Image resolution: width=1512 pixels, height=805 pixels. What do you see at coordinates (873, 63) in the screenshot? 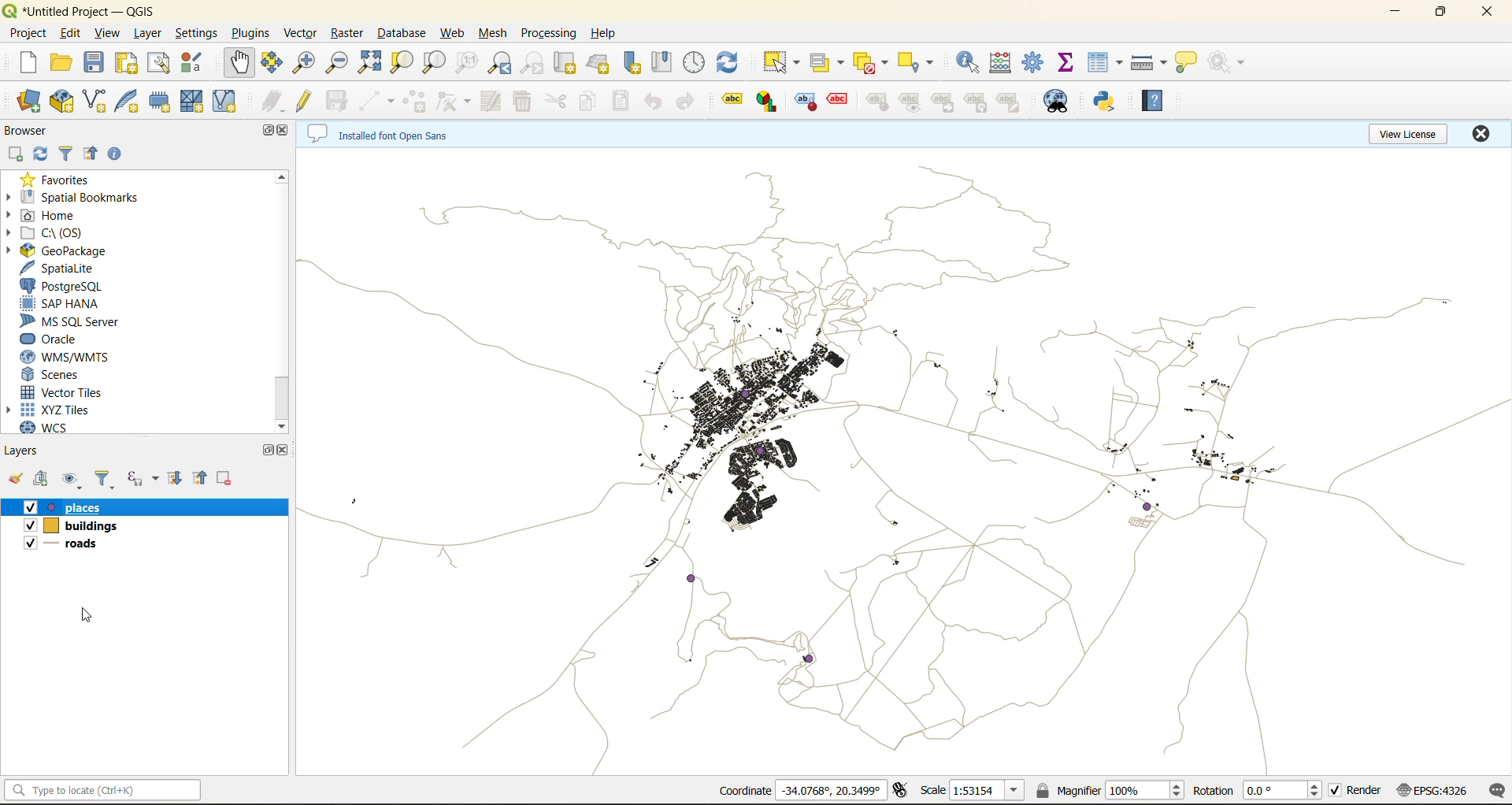
I see `deselect value` at bounding box center [873, 63].